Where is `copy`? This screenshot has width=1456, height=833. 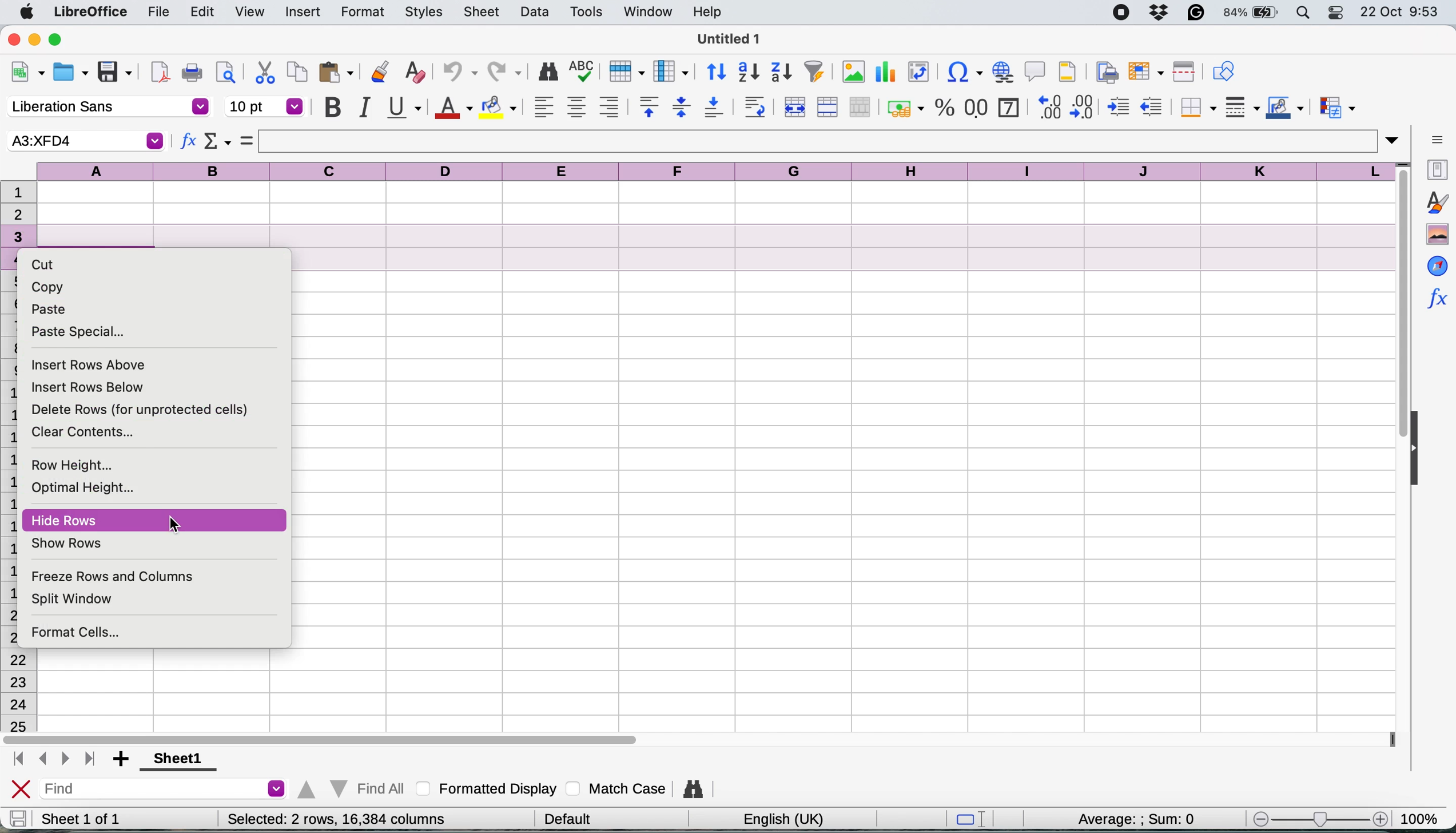
copy is located at coordinates (298, 72).